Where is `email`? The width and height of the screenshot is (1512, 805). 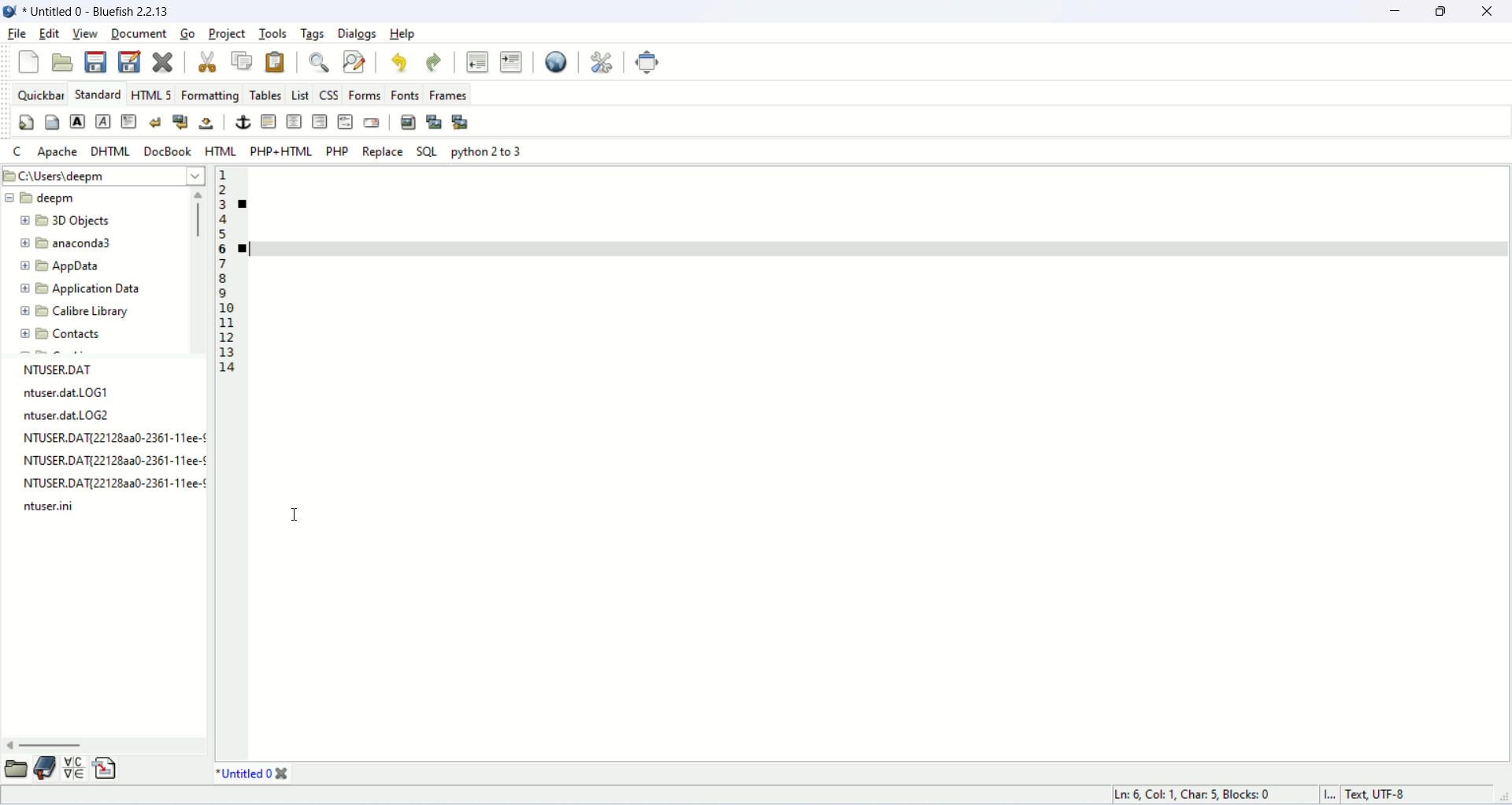 email is located at coordinates (371, 122).